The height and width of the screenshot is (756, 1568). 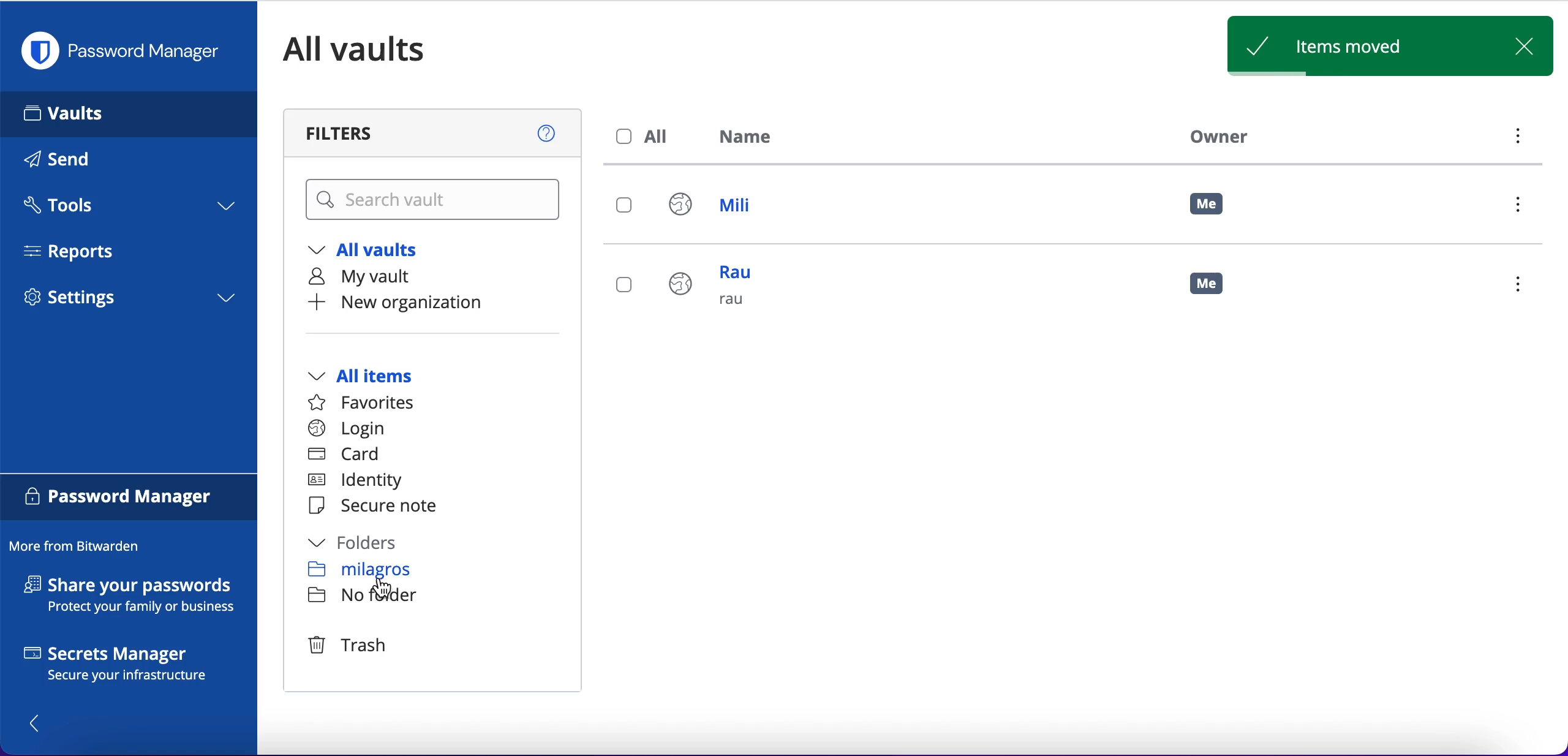 What do you see at coordinates (127, 209) in the screenshot?
I see `tools` at bounding box center [127, 209].